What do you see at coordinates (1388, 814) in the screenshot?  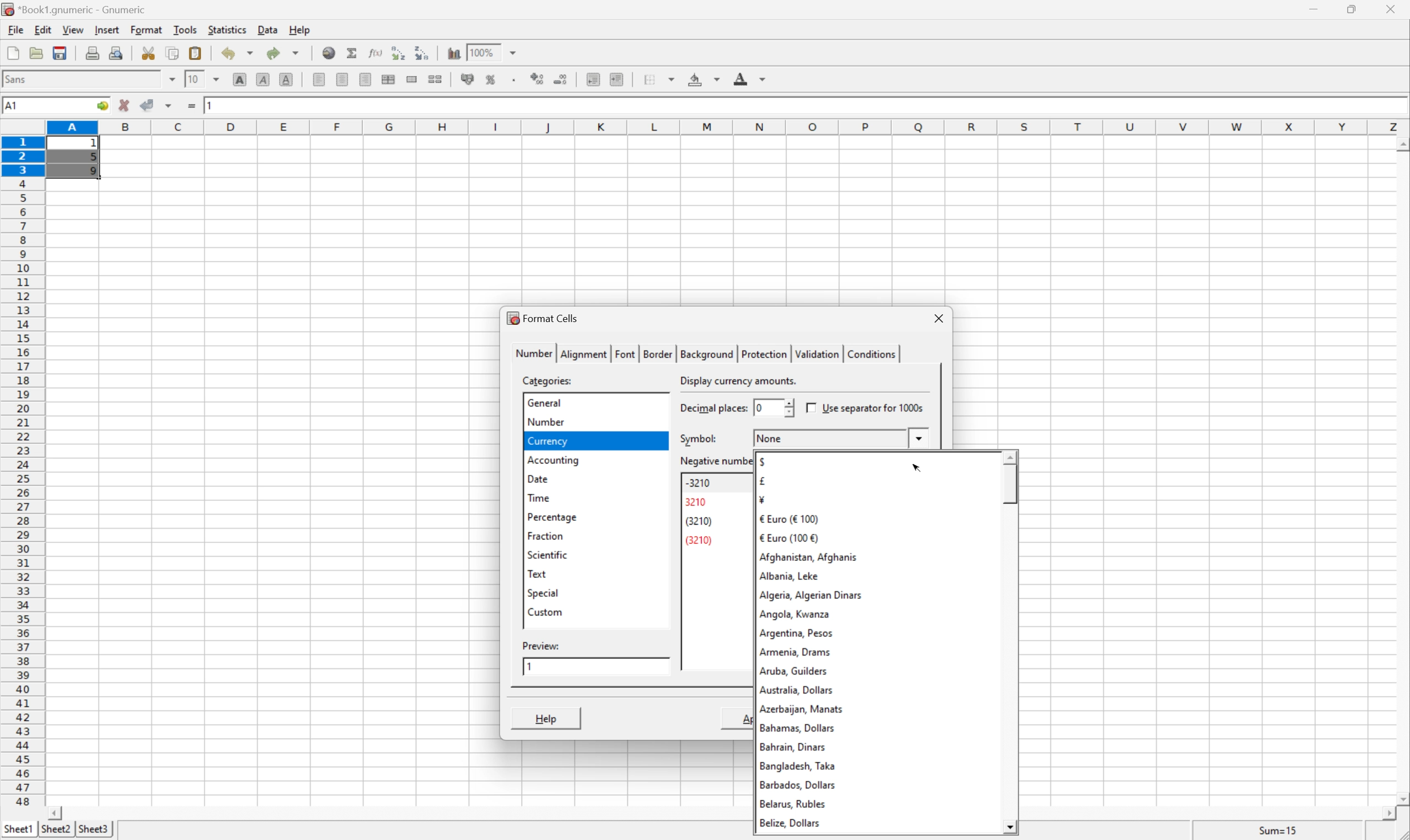 I see `scroll right` at bounding box center [1388, 814].